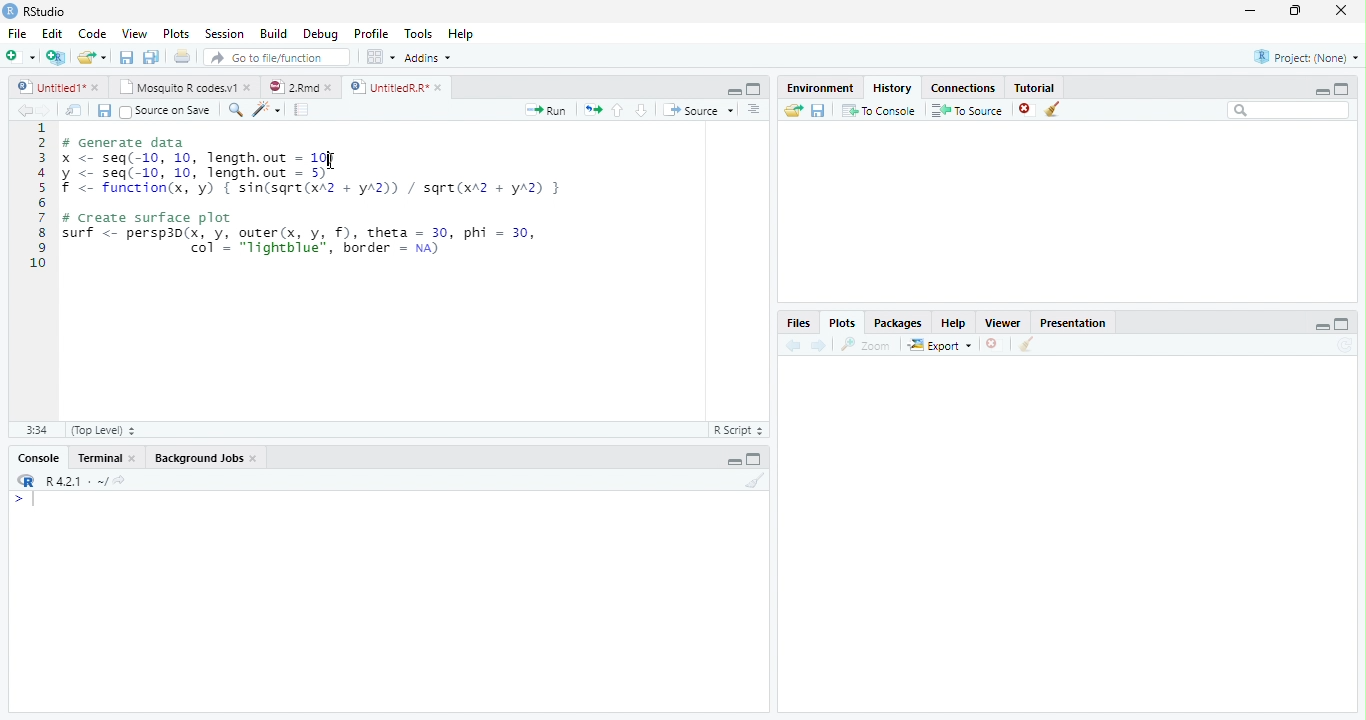  I want to click on close, so click(1341, 10).